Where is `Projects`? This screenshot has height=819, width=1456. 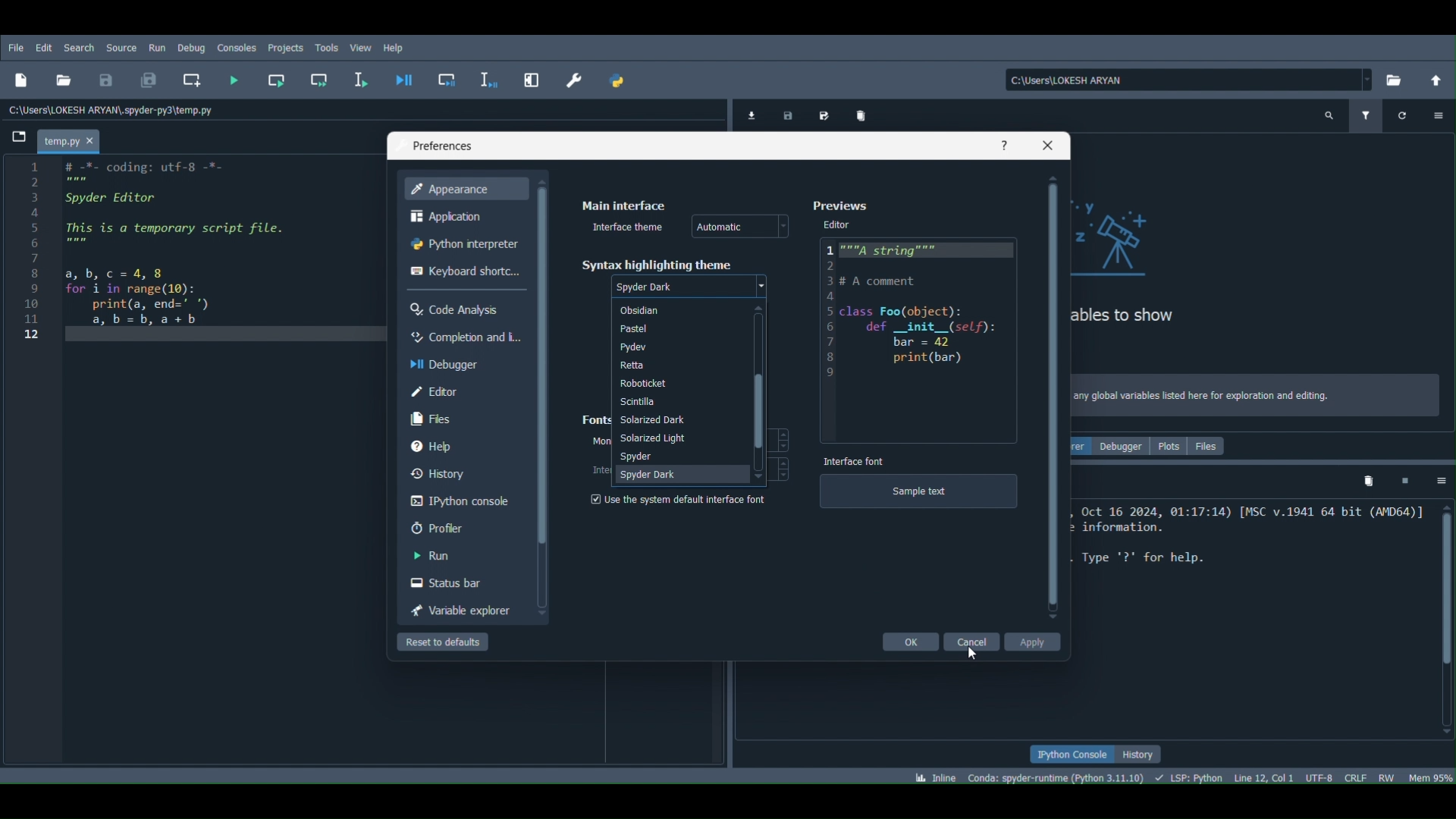 Projects is located at coordinates (285, 46).